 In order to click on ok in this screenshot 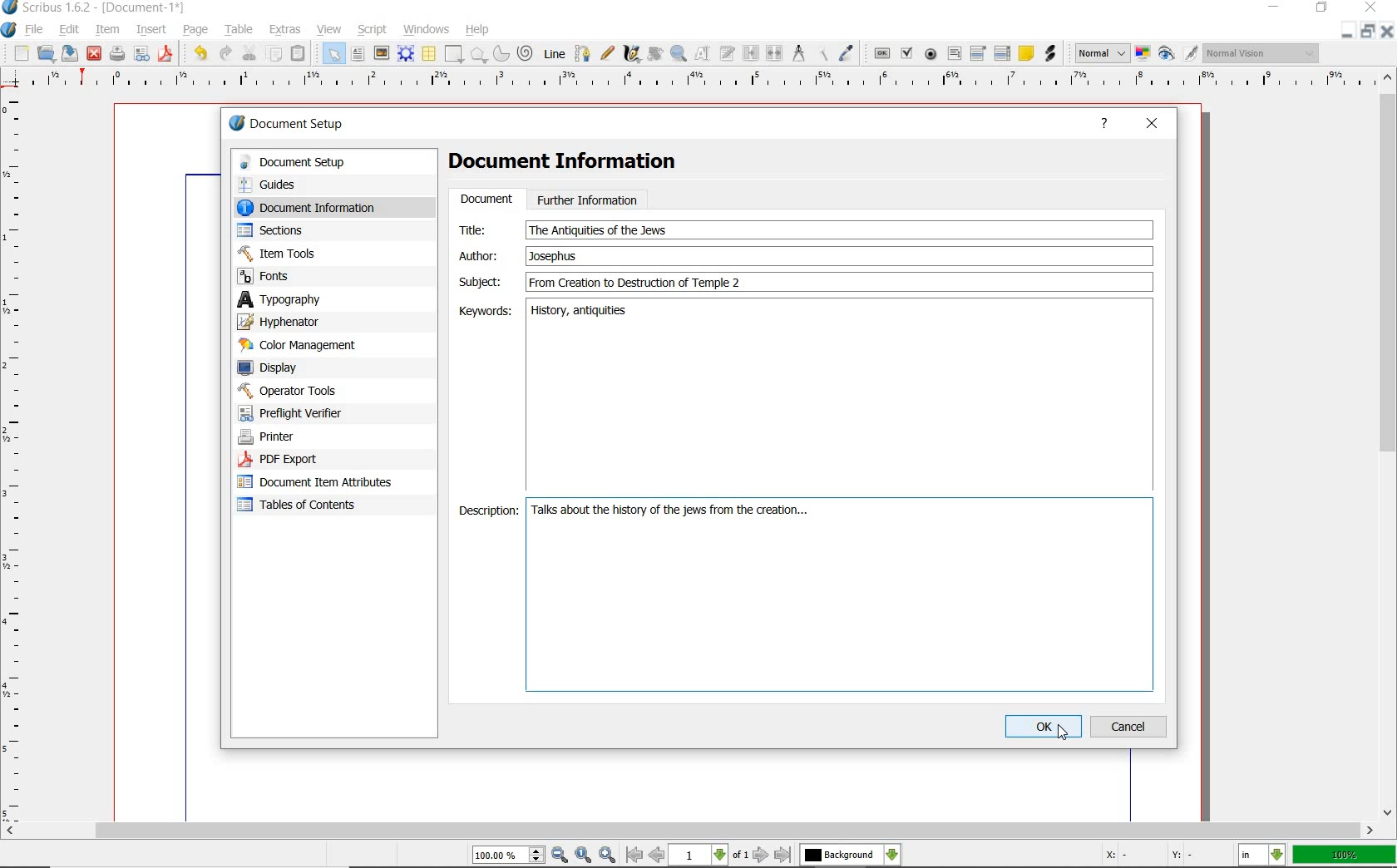, I will do `click(1043, 727)`.